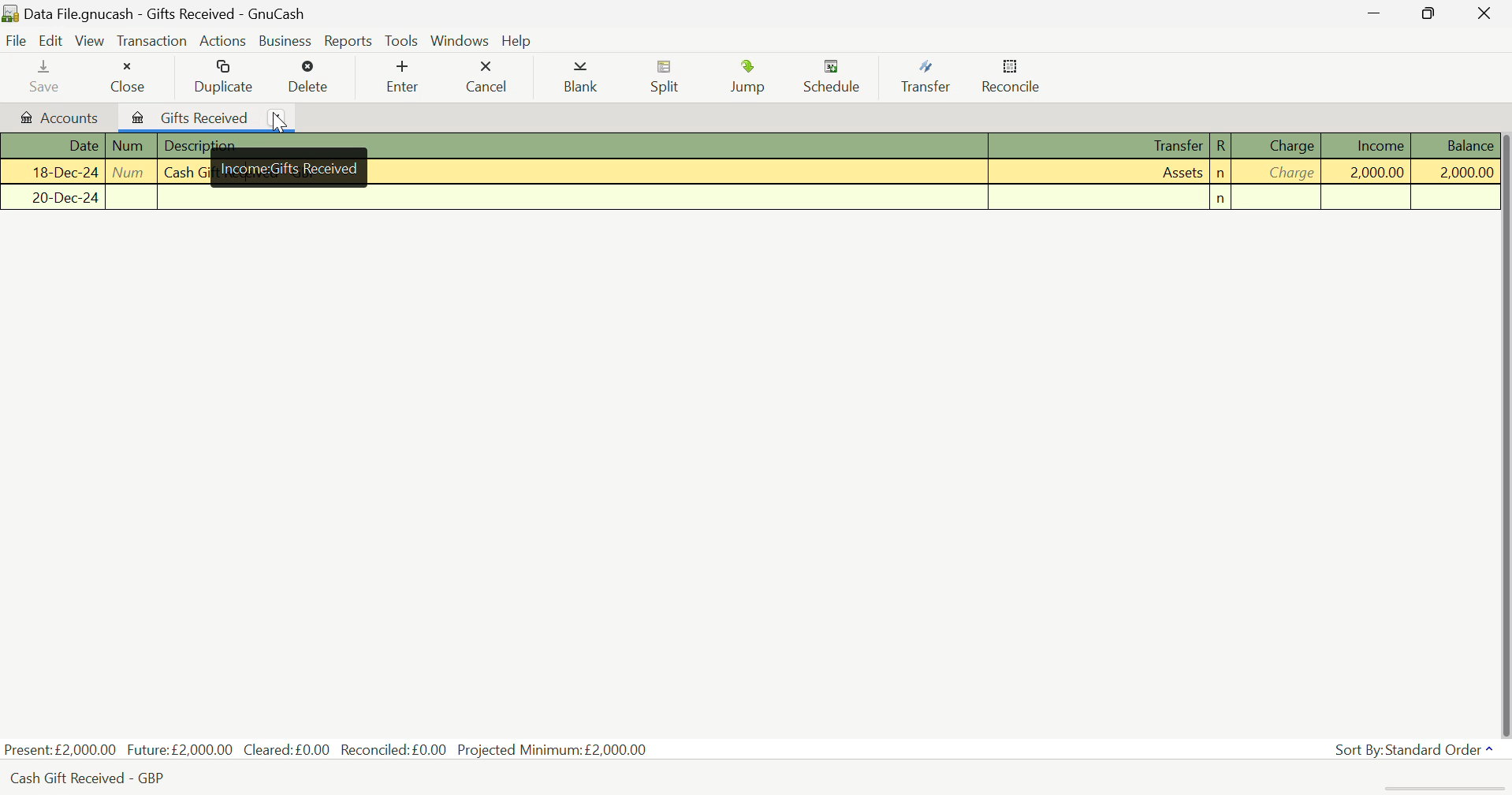  What do you see at coordinates (574, 147) in the screenshot?
I see `Description` at bounding box center [574, 147].